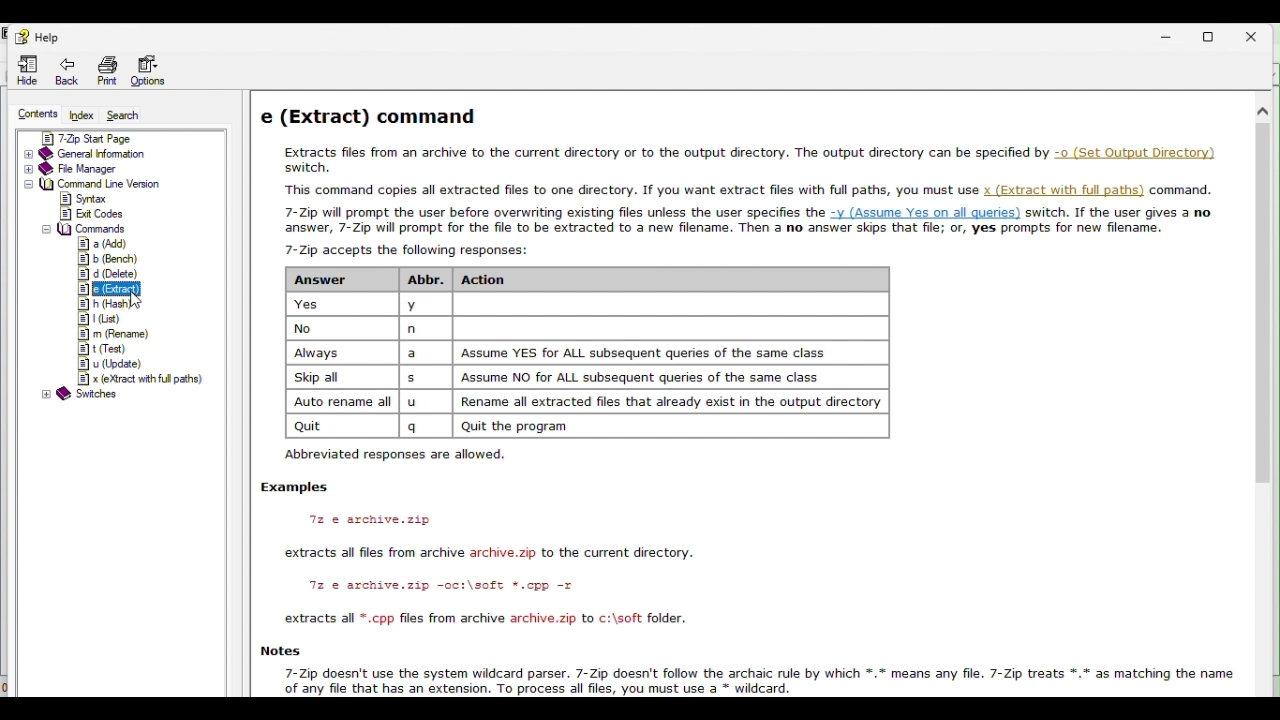  Describe the element at coordinates (1263, 293) in the screenshot. I see `Vertical scroll bar` at that location.